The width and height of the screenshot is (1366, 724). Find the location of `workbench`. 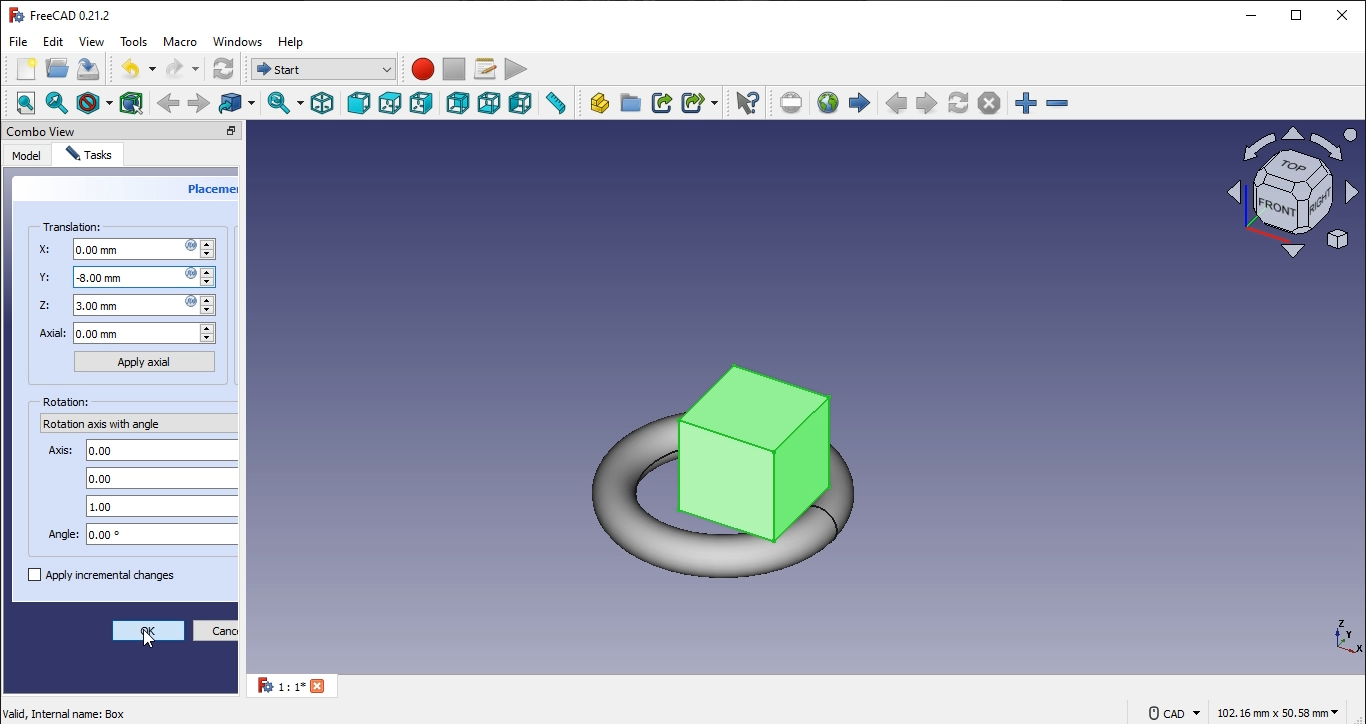

workbench is located at coordinates (320, 67).